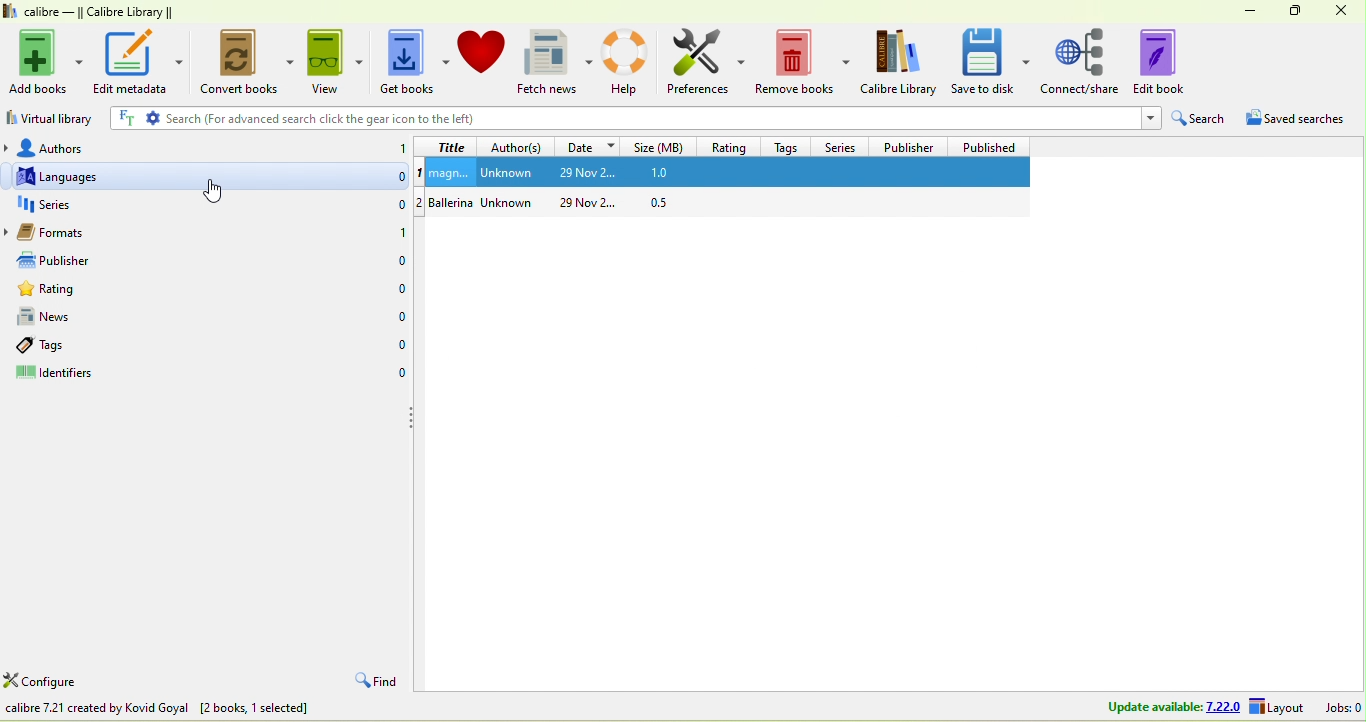 This screenshot has width=1366, height=722. Describe the element at coordinates (402, 321) in the screenshot. I see `0` at that location.